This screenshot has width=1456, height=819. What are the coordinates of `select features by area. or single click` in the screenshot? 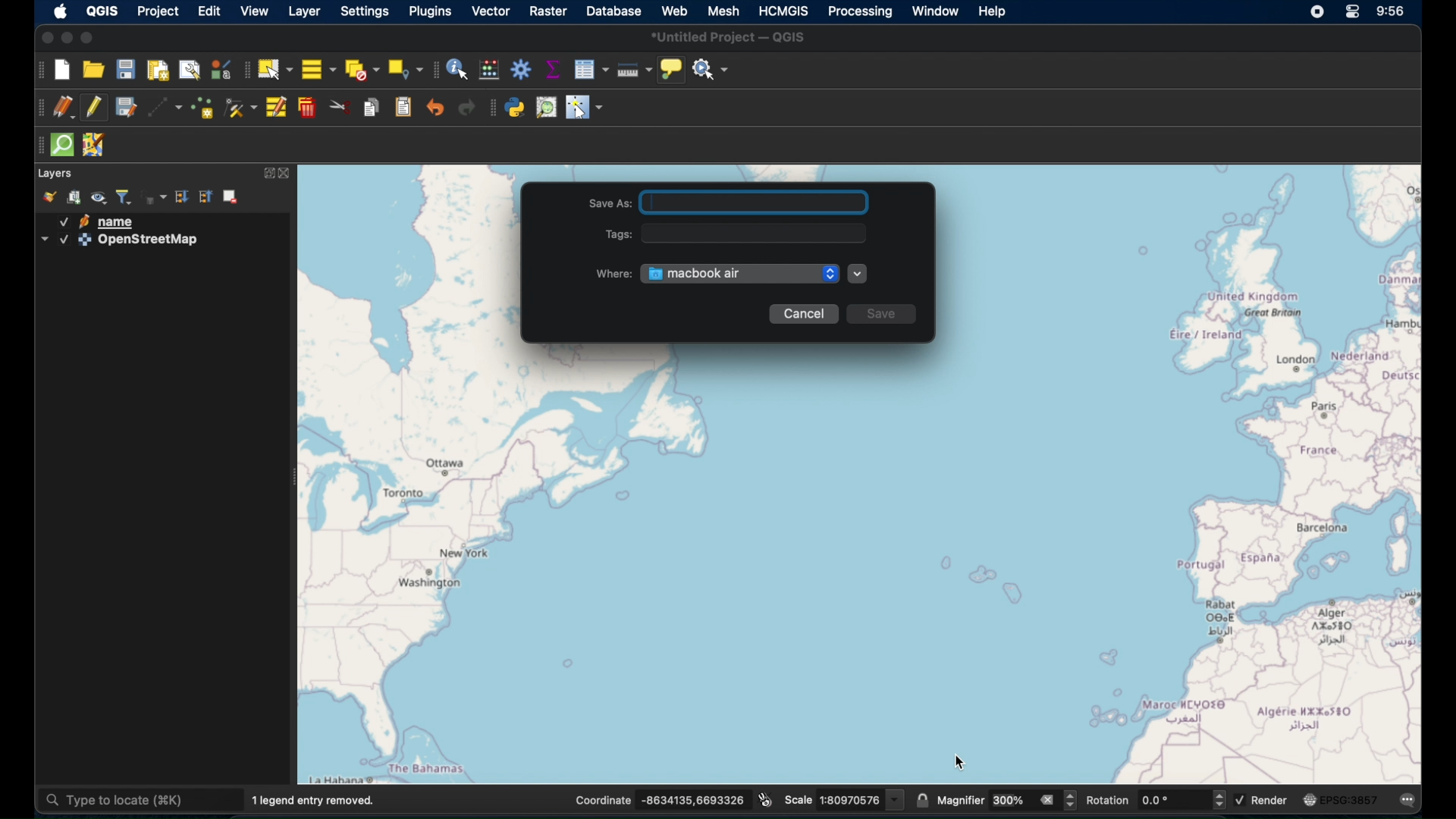 It's located at (275, 70).